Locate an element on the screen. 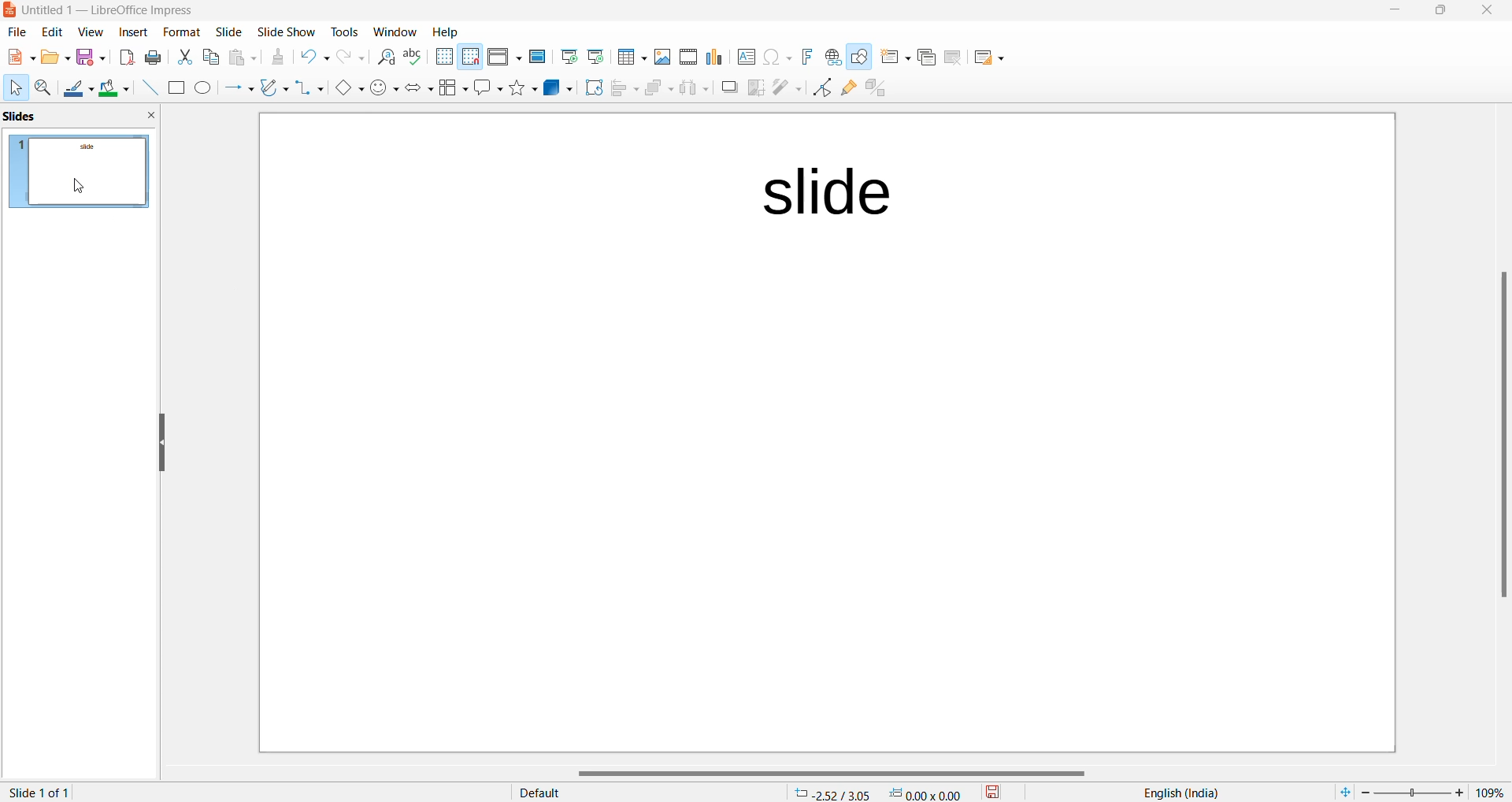  maximize is located at coordinates (1442, 13).